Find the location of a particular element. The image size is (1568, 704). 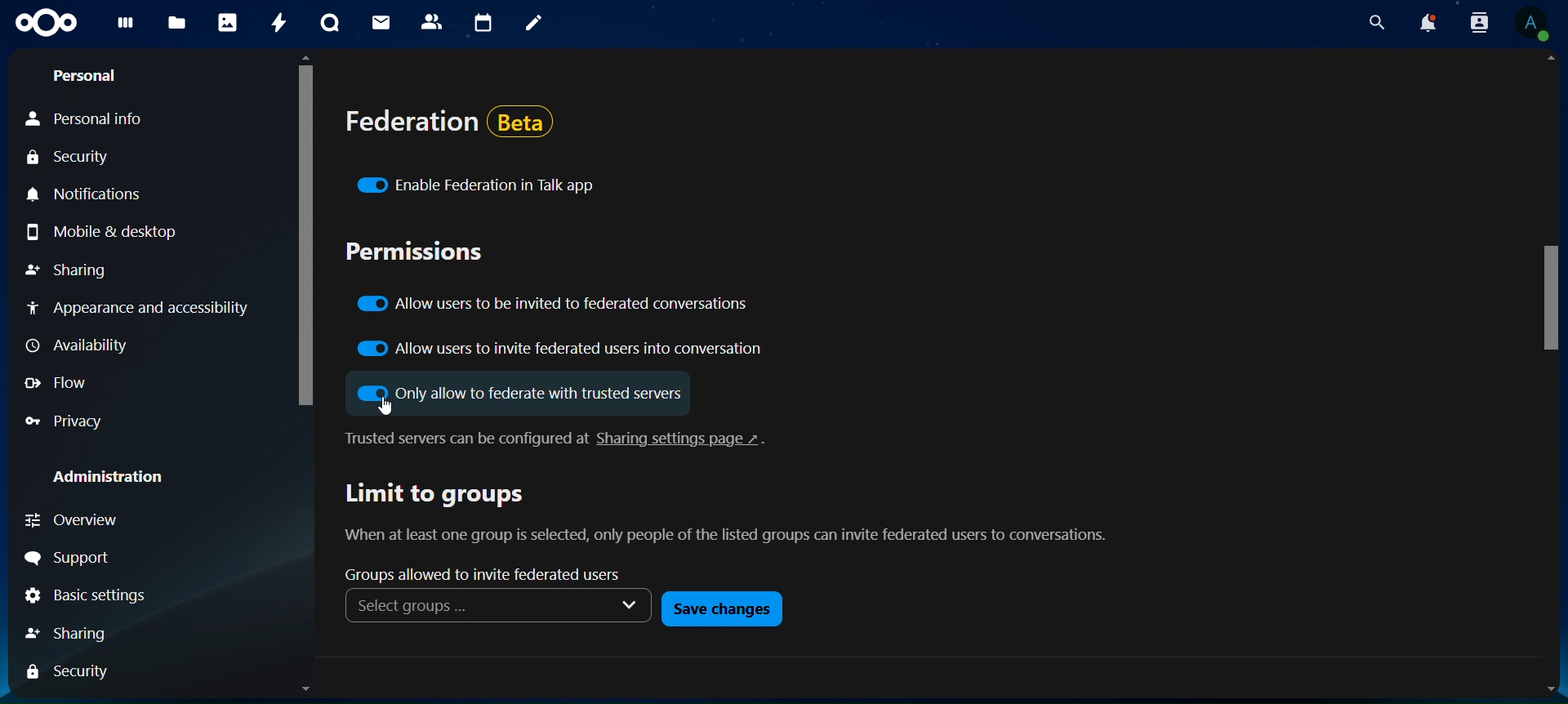

search is located at coordinates (1379, 23).